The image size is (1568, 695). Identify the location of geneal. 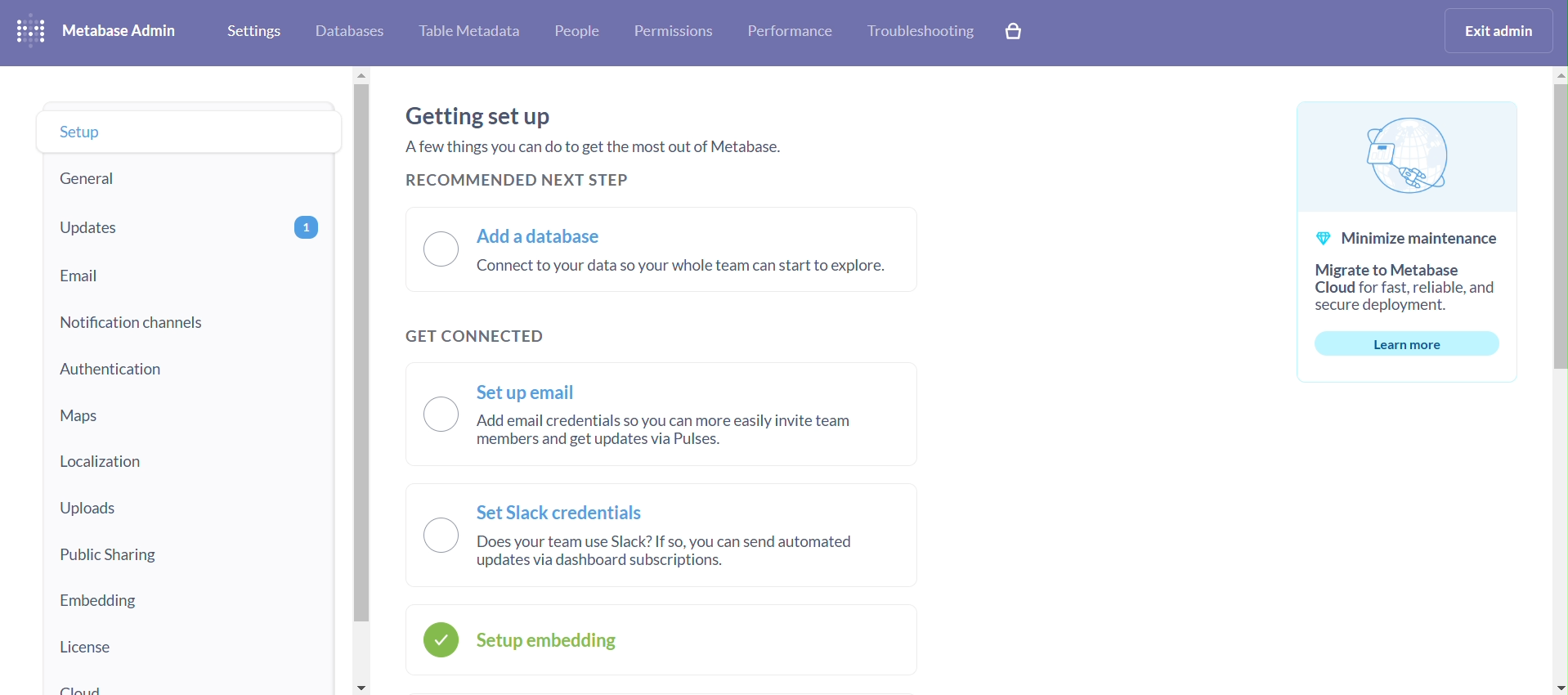
(185, 177).